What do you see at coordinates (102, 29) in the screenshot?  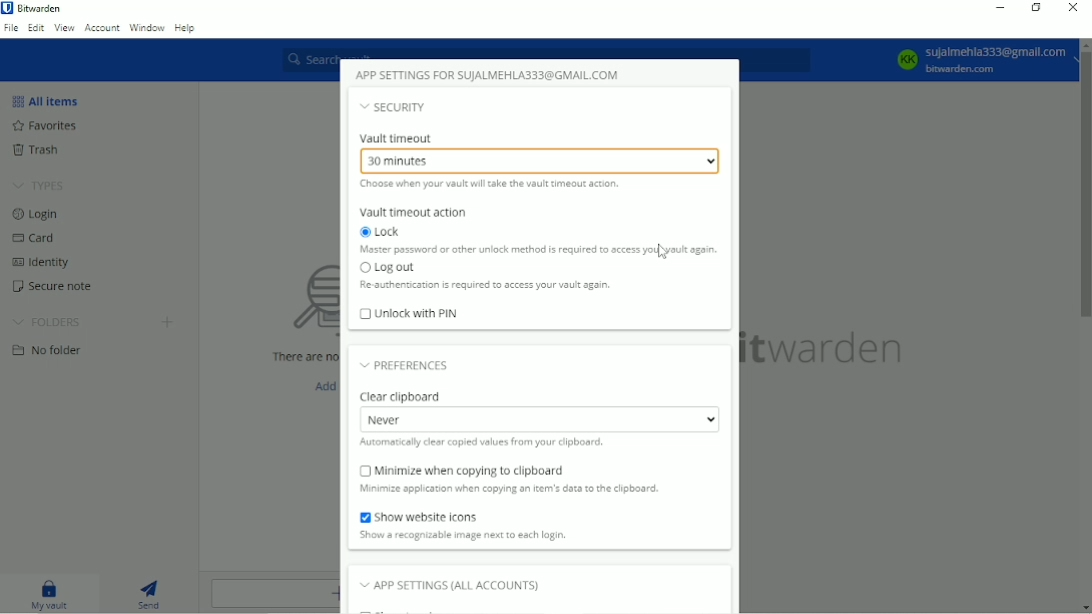 I see `Account` at bounding box center [102, 29].